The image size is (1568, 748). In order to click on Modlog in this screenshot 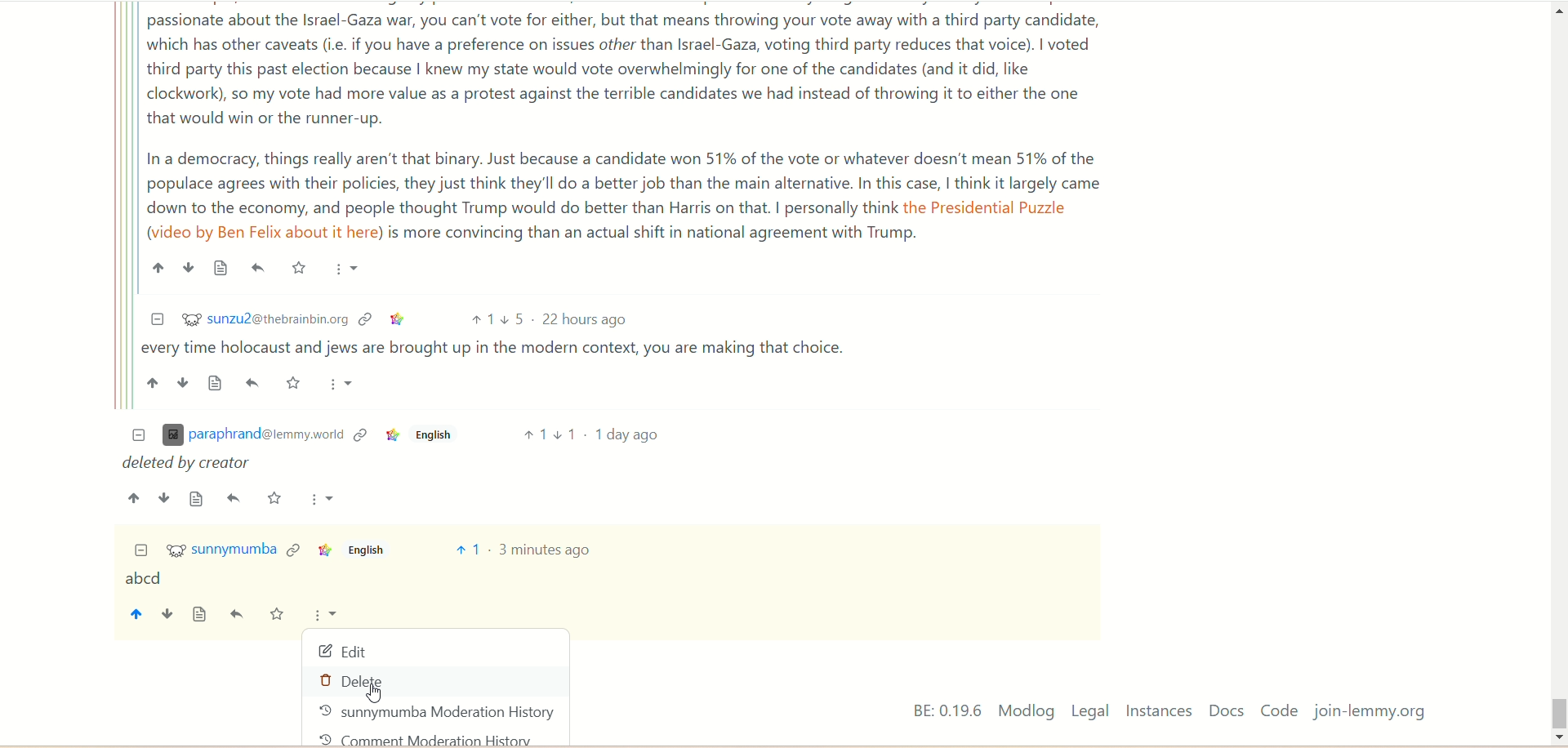, I will do `click(1026, 710)`.